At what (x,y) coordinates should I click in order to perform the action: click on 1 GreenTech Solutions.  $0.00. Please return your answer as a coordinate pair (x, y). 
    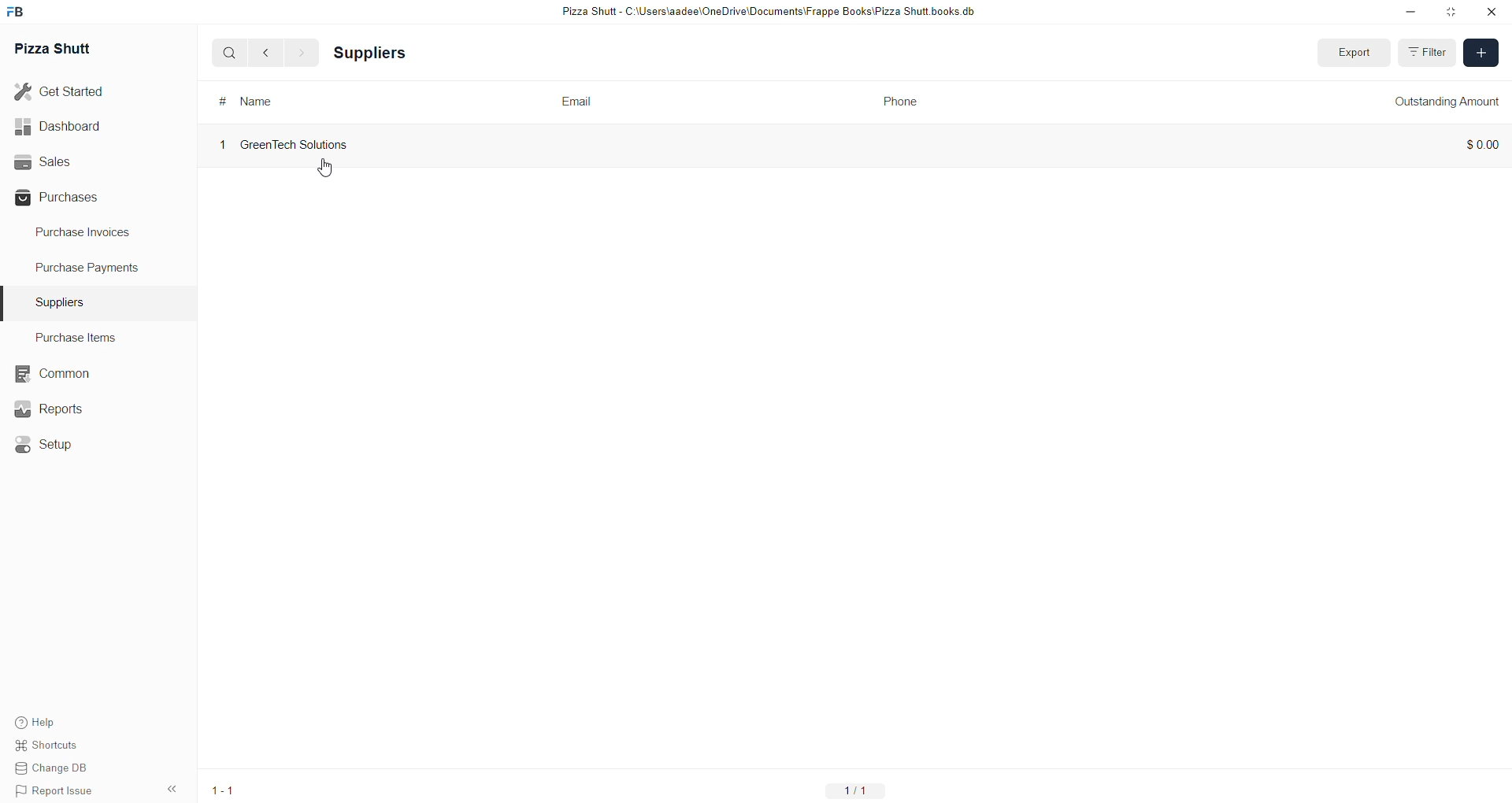
    Looking at the image, I should click on (852, 142).